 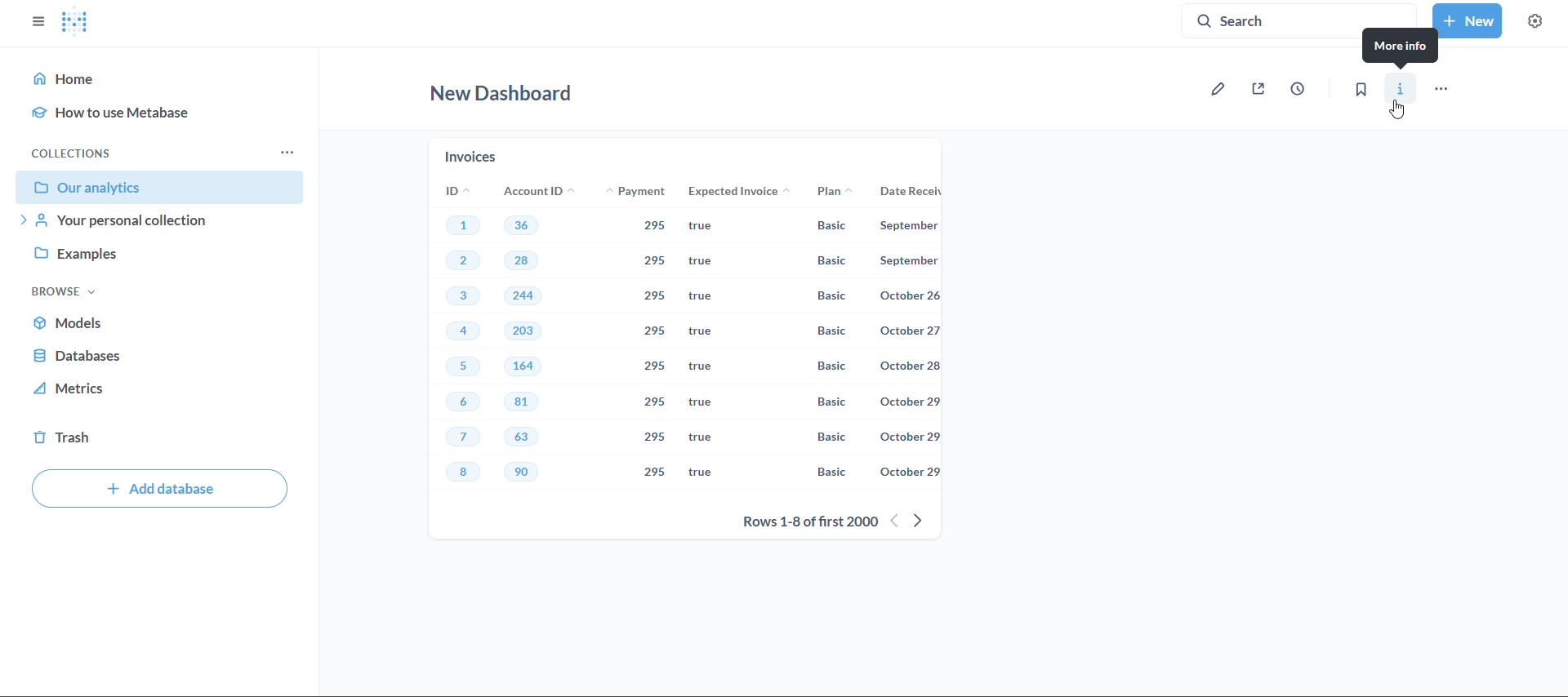 I want to click on more , so click(x=292, y=151).